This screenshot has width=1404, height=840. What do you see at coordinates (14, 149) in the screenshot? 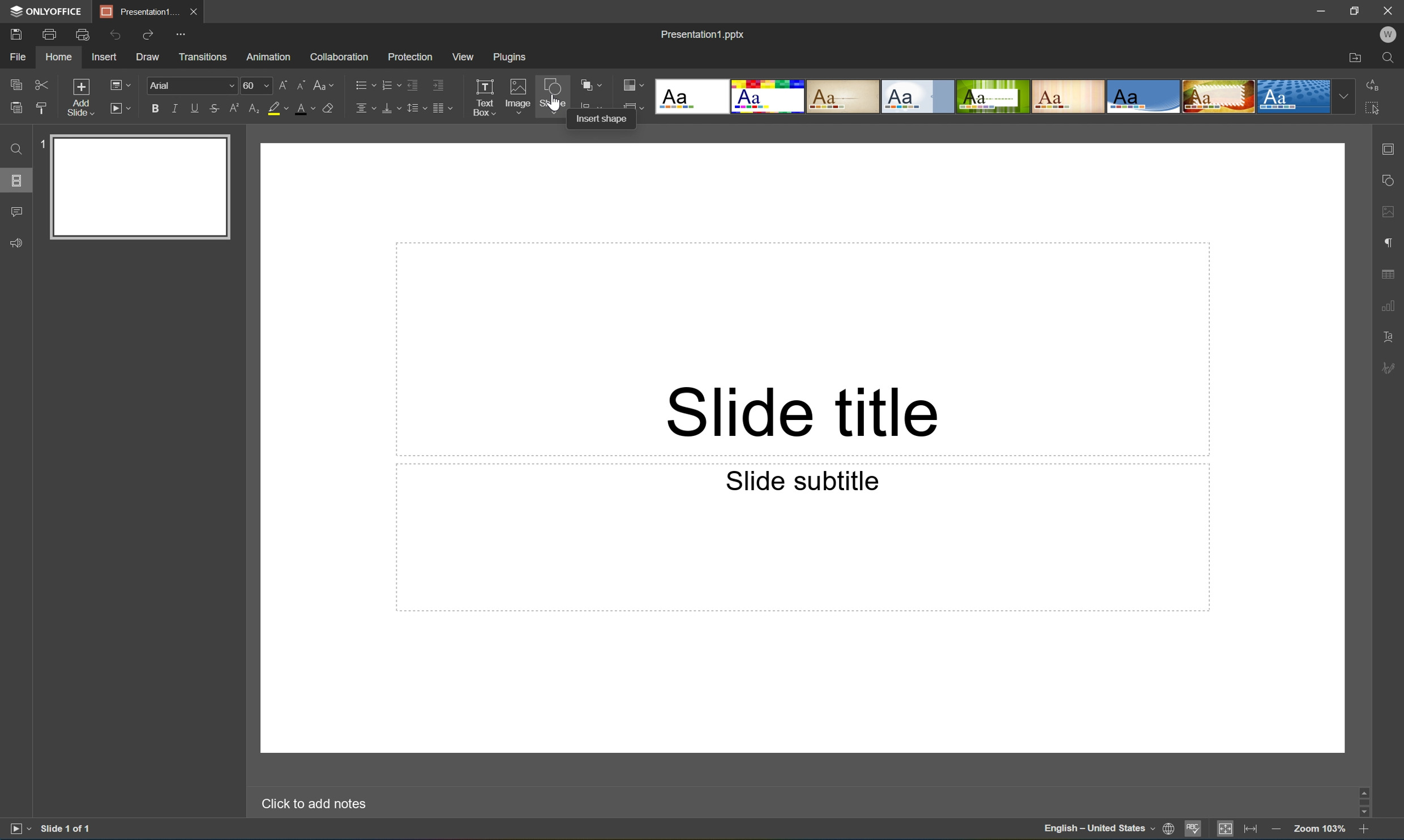
I see `Find` at bounding box center [14, 149].